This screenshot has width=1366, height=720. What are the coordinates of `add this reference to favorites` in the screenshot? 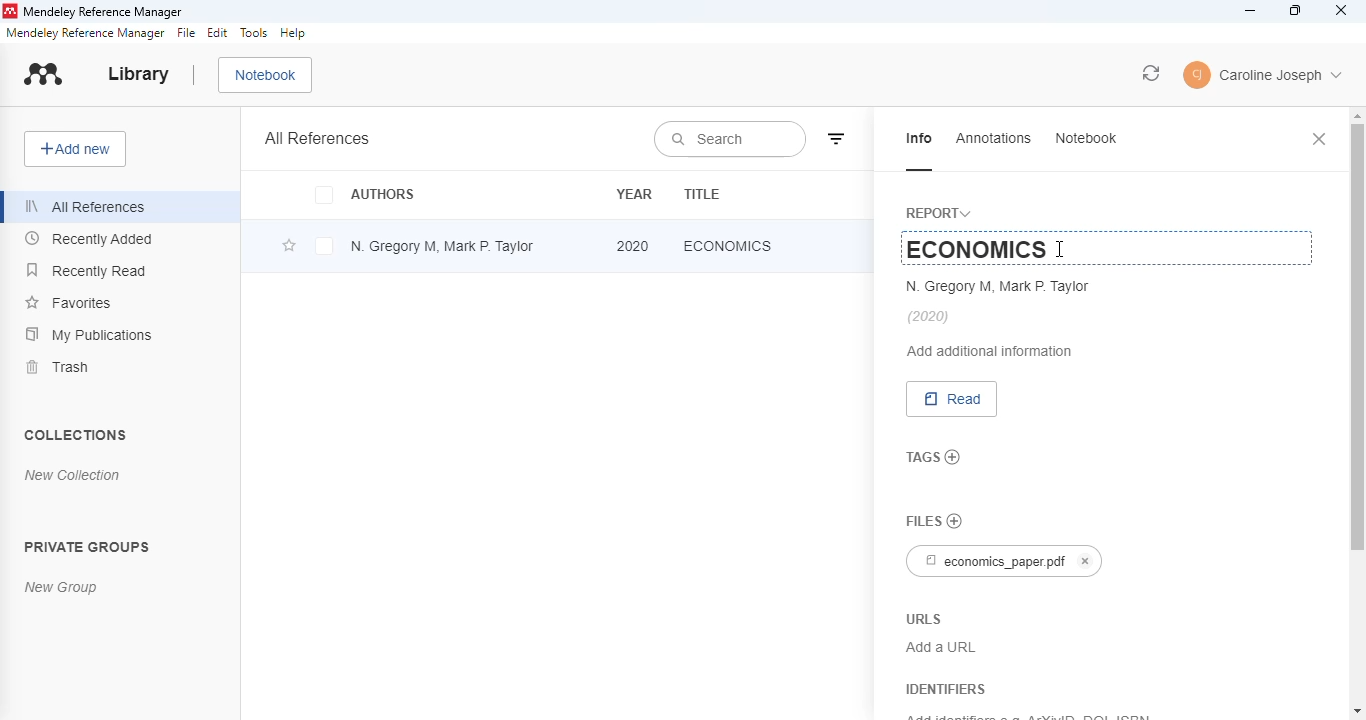 It's located at (289, 247).